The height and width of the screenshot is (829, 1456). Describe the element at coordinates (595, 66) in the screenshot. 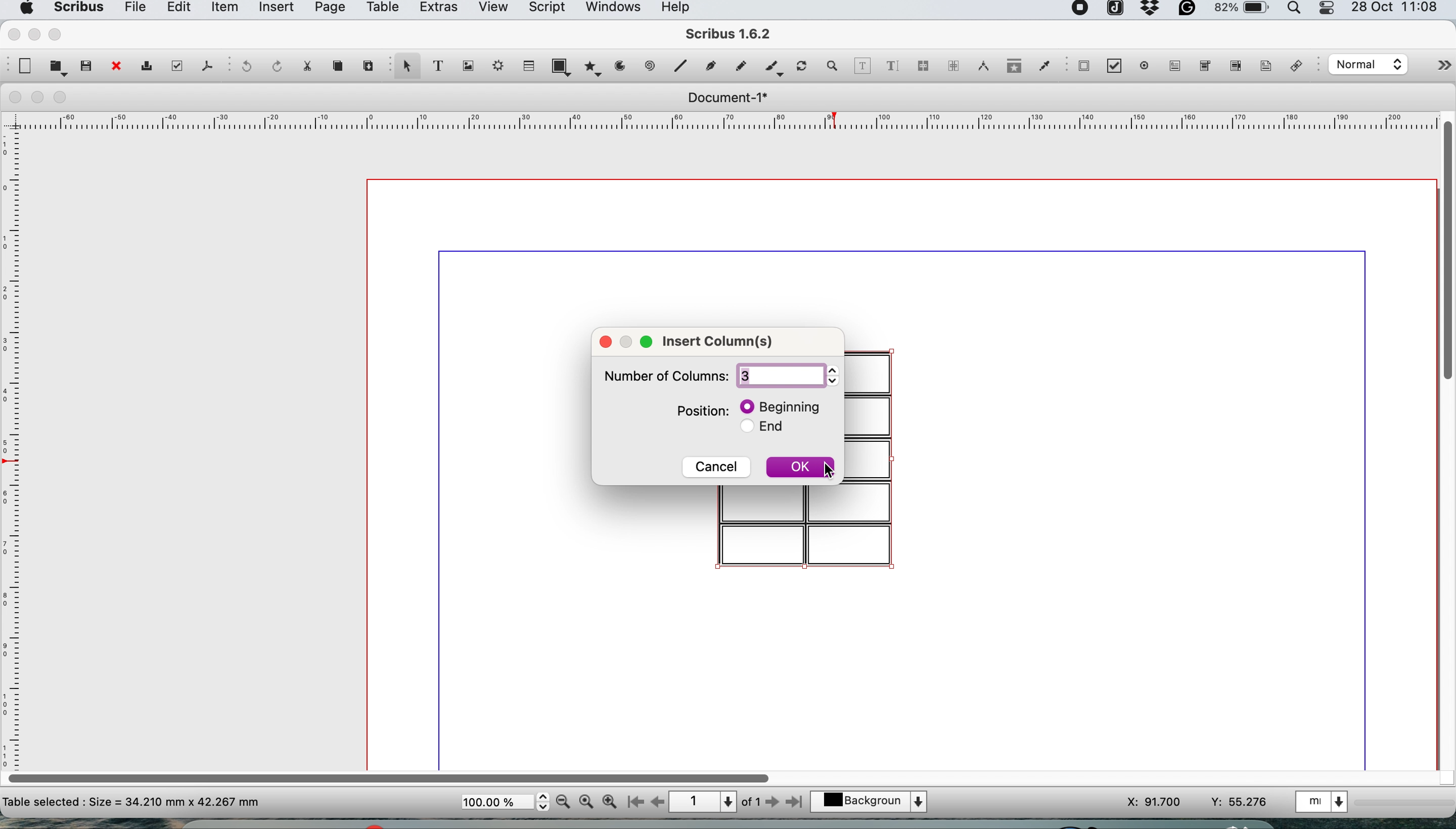

I see `polygon` at that location.